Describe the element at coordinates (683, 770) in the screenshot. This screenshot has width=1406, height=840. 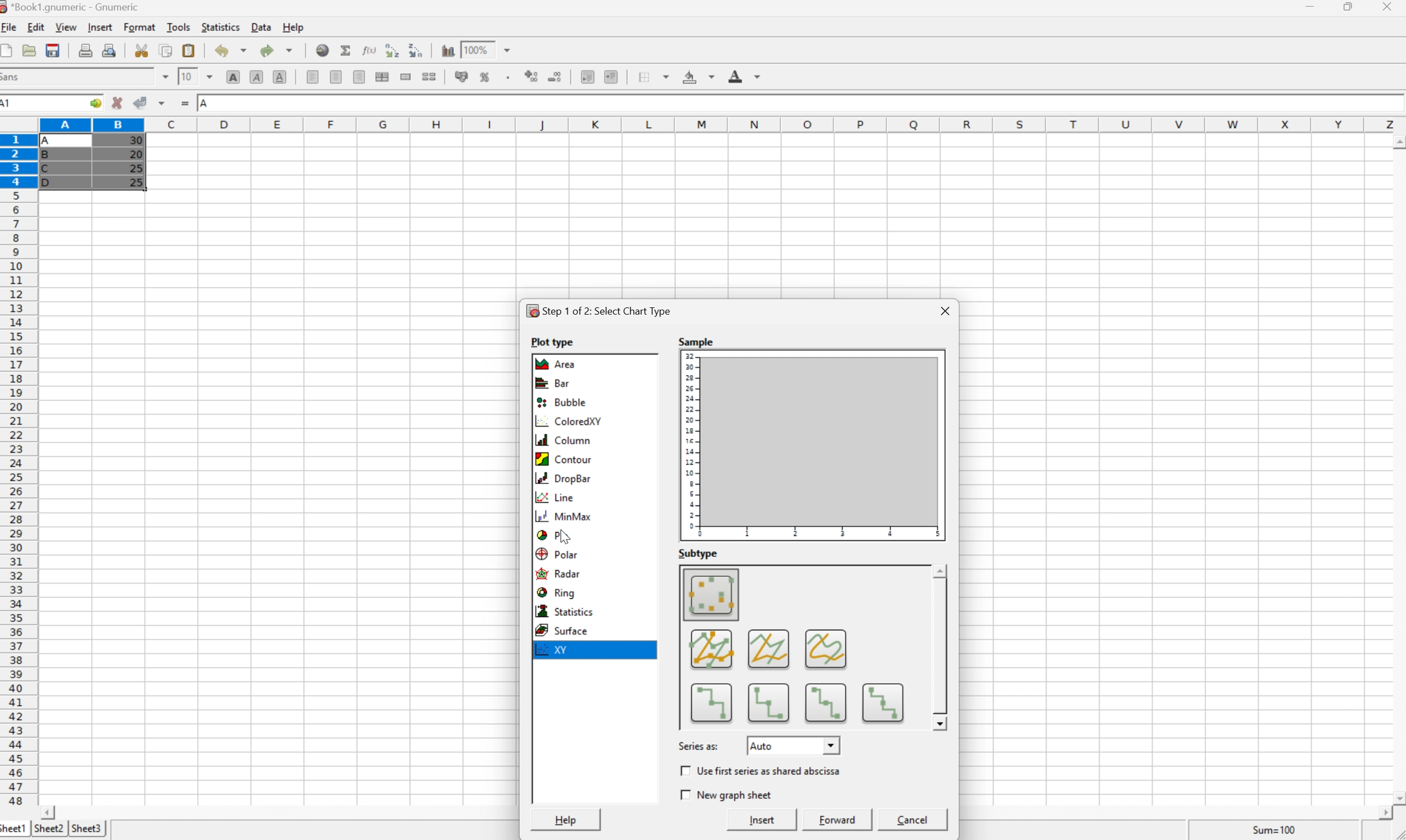
I see `Checkbox` at that location.